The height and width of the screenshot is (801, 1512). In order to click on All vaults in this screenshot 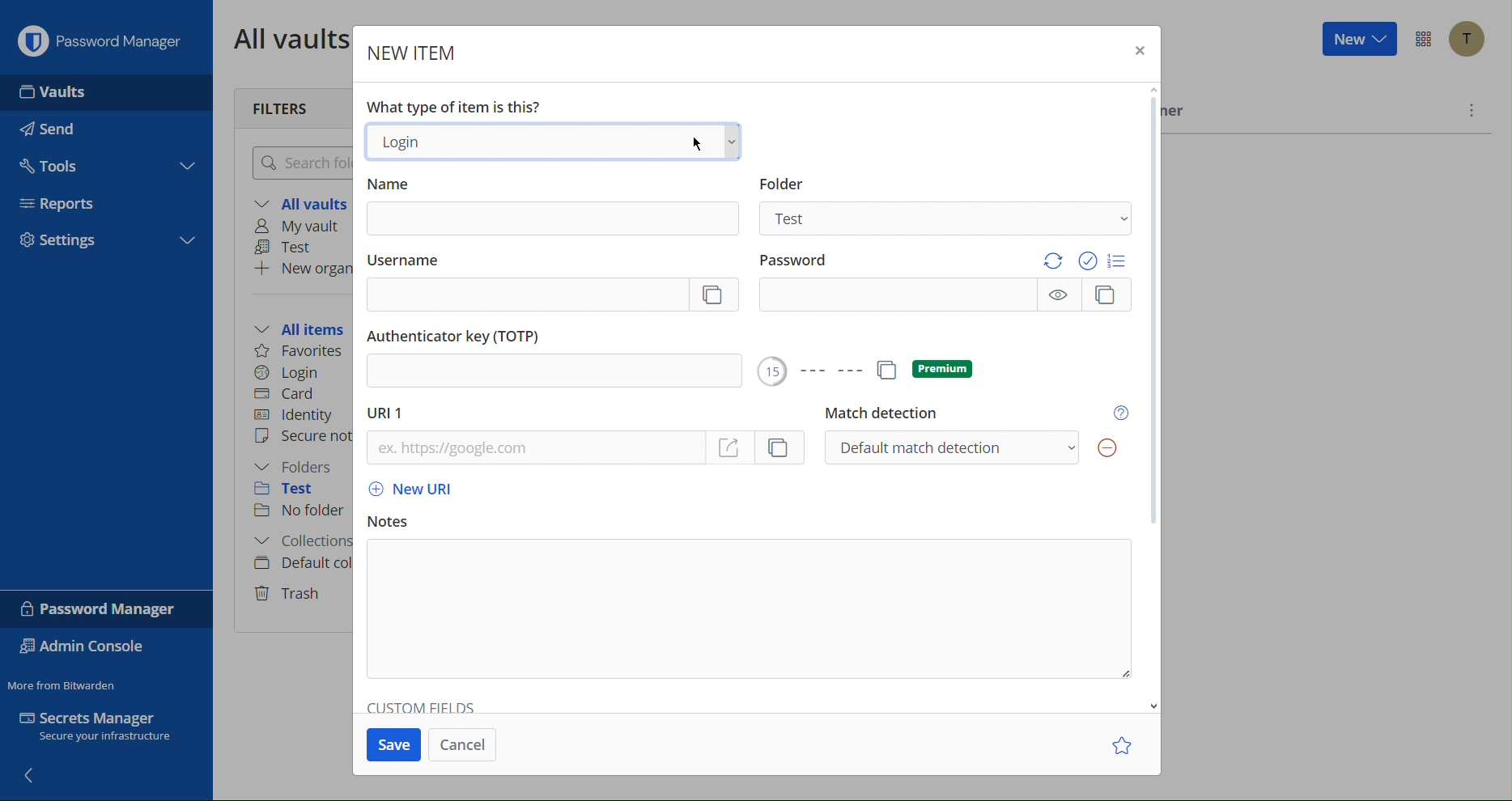, I will do `click(295, 201)`.